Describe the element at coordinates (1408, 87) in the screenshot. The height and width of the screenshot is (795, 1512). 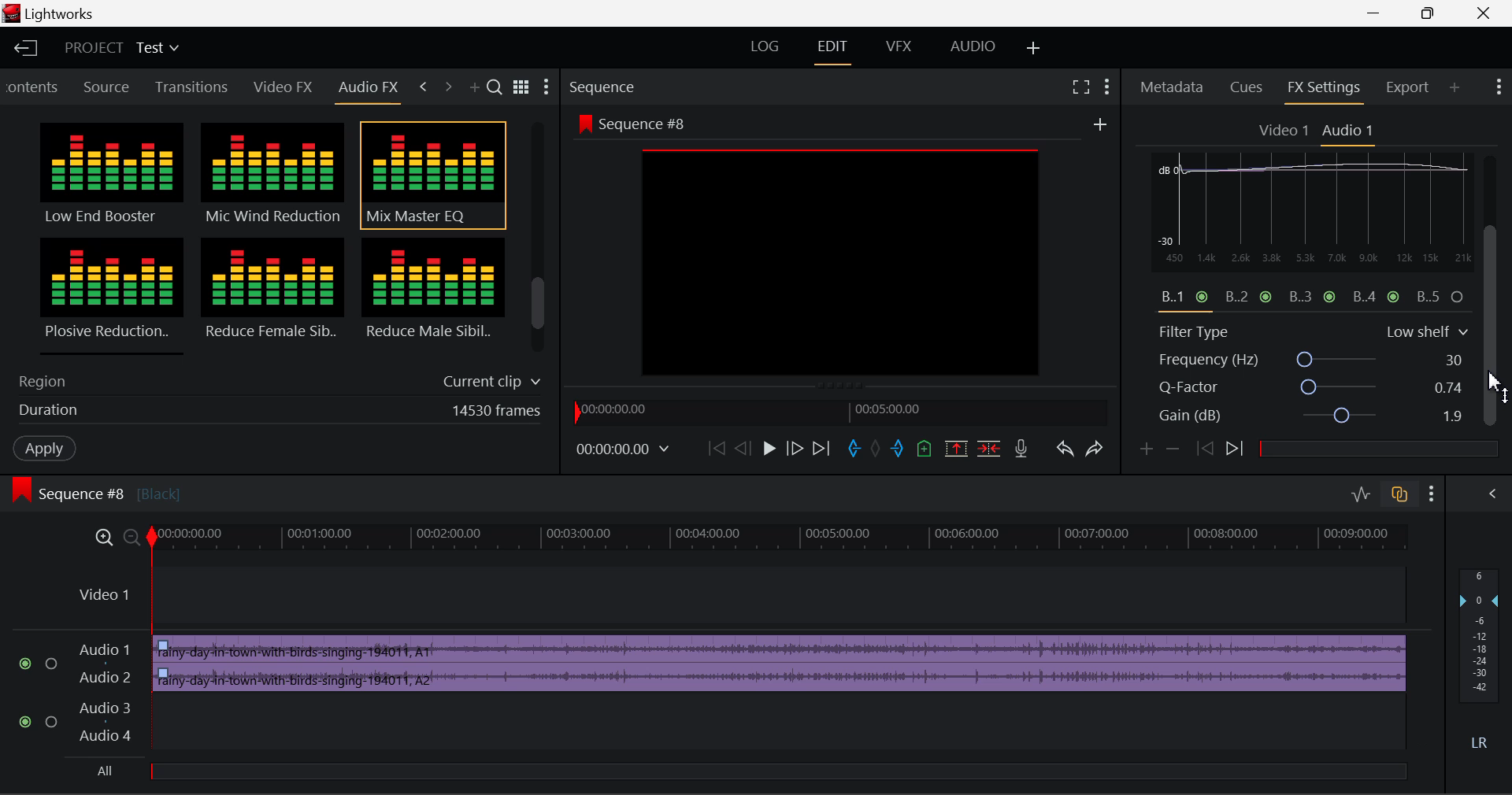
I see `Export` at that location.